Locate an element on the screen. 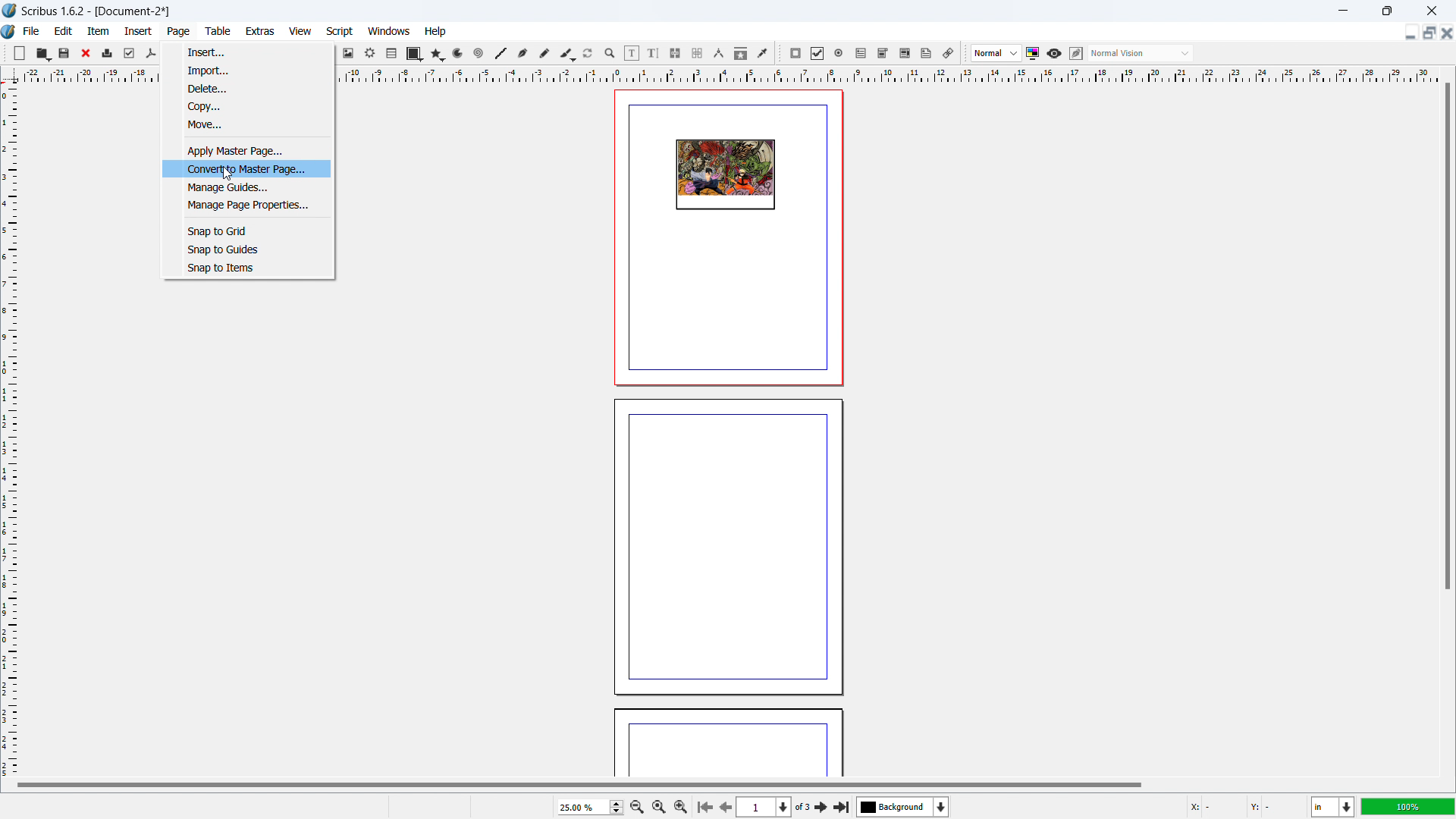 The height and width of the screenshot is (819, 1456). windows is located at coordinates (390, 31).